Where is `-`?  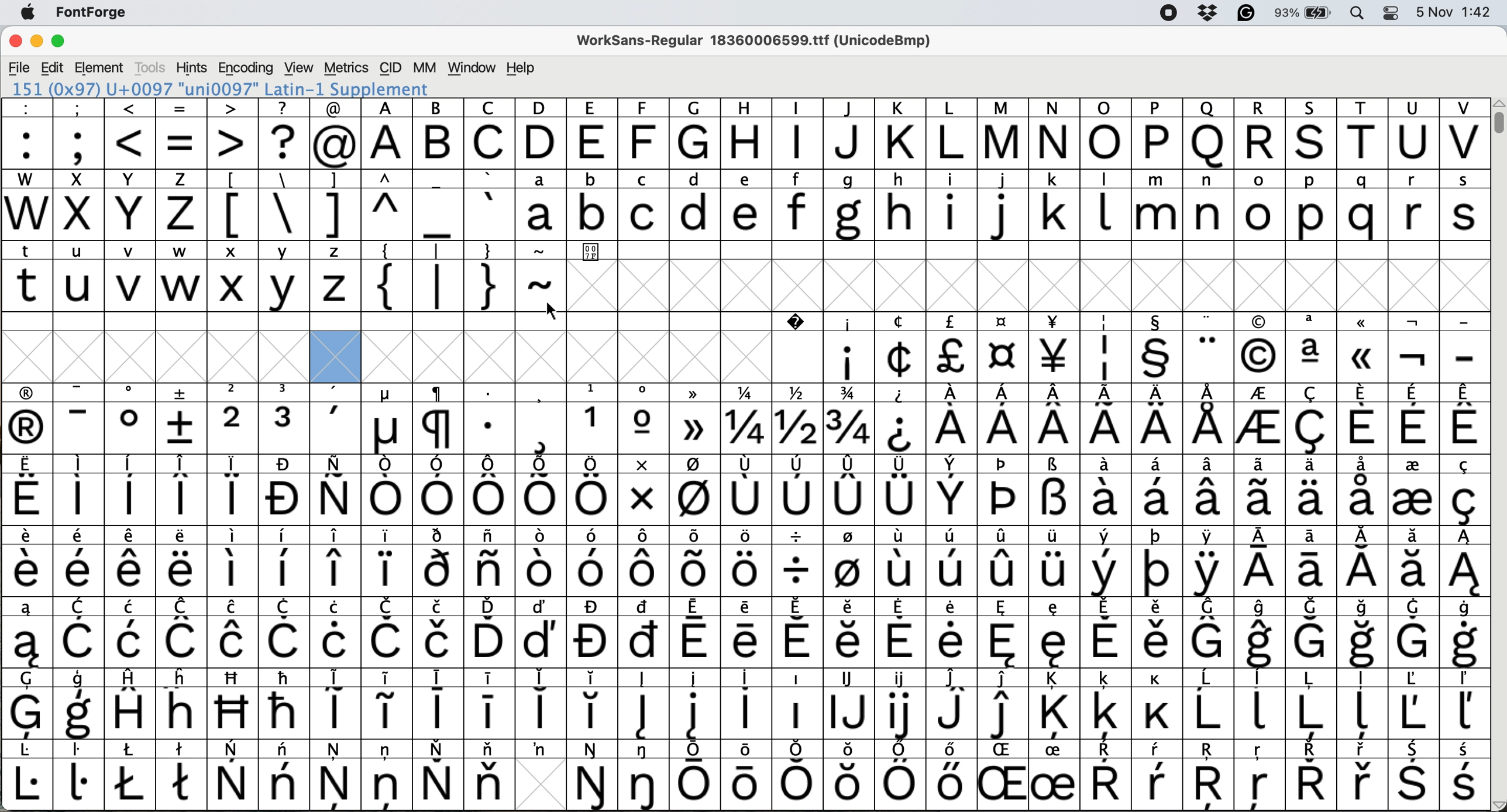
- is located at coordinates (1465, 349).